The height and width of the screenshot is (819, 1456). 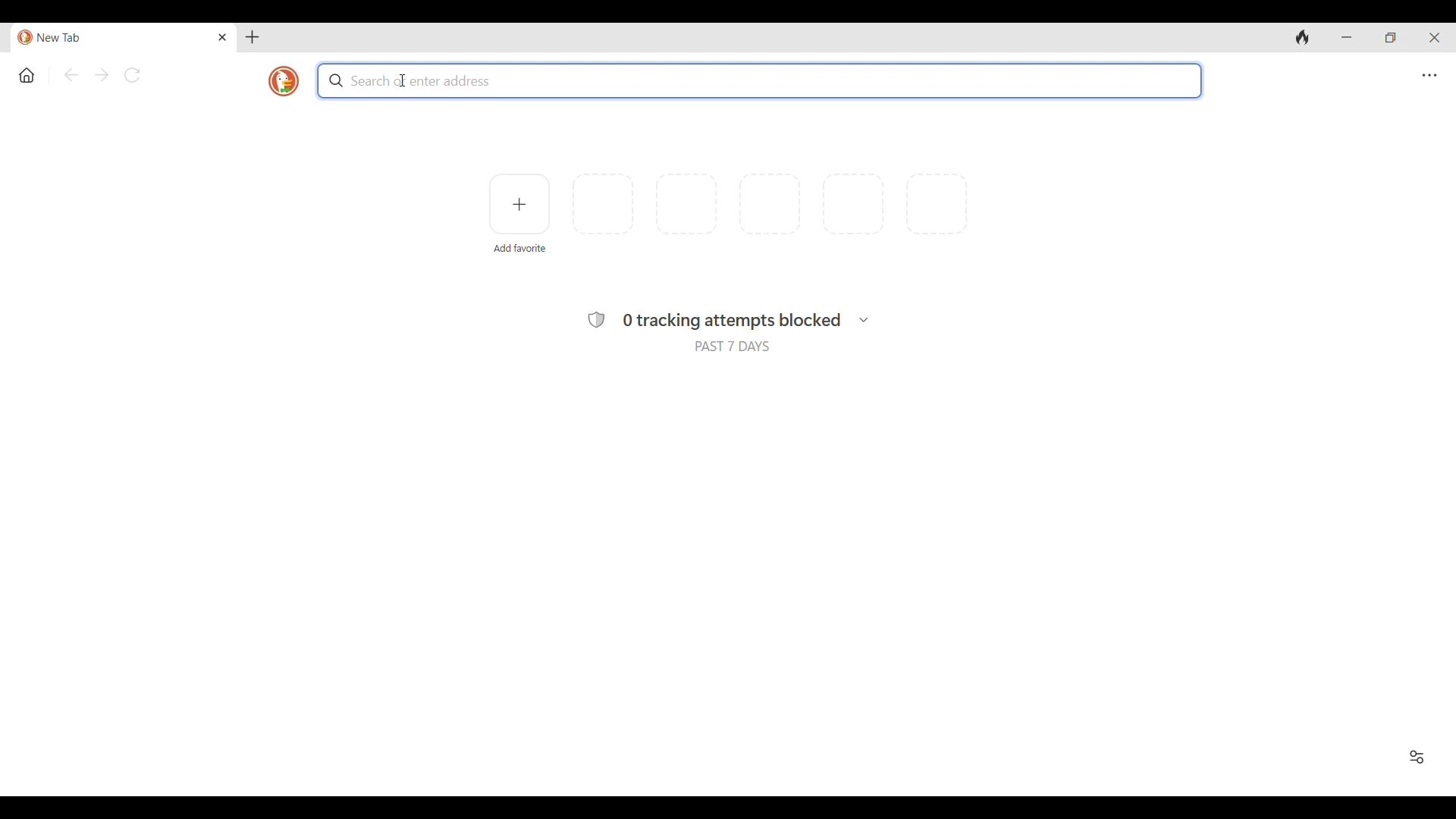 I want to click on Close tab, so click(x=223, y=37).